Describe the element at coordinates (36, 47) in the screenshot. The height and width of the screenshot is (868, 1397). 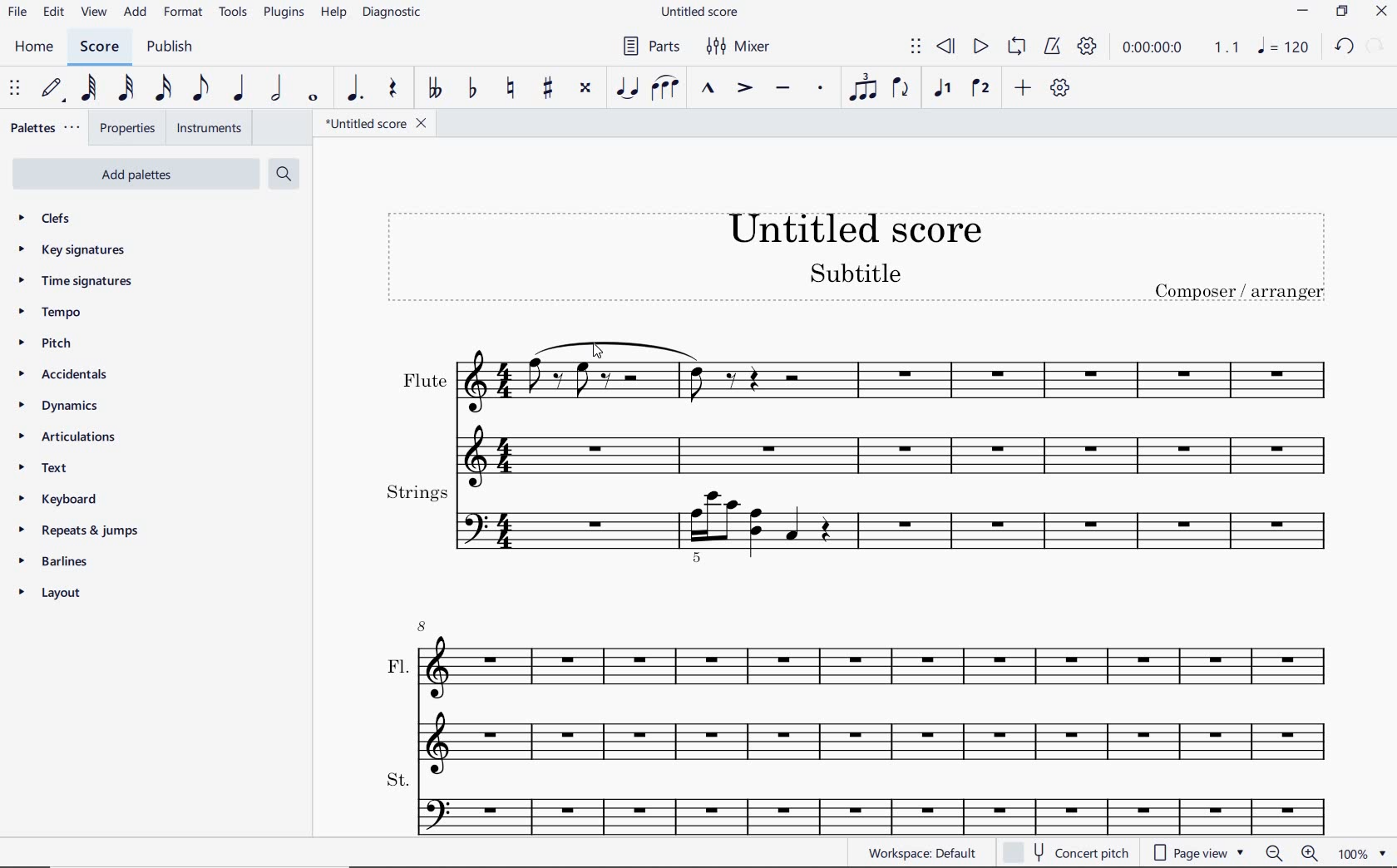
I see `home` at that location.